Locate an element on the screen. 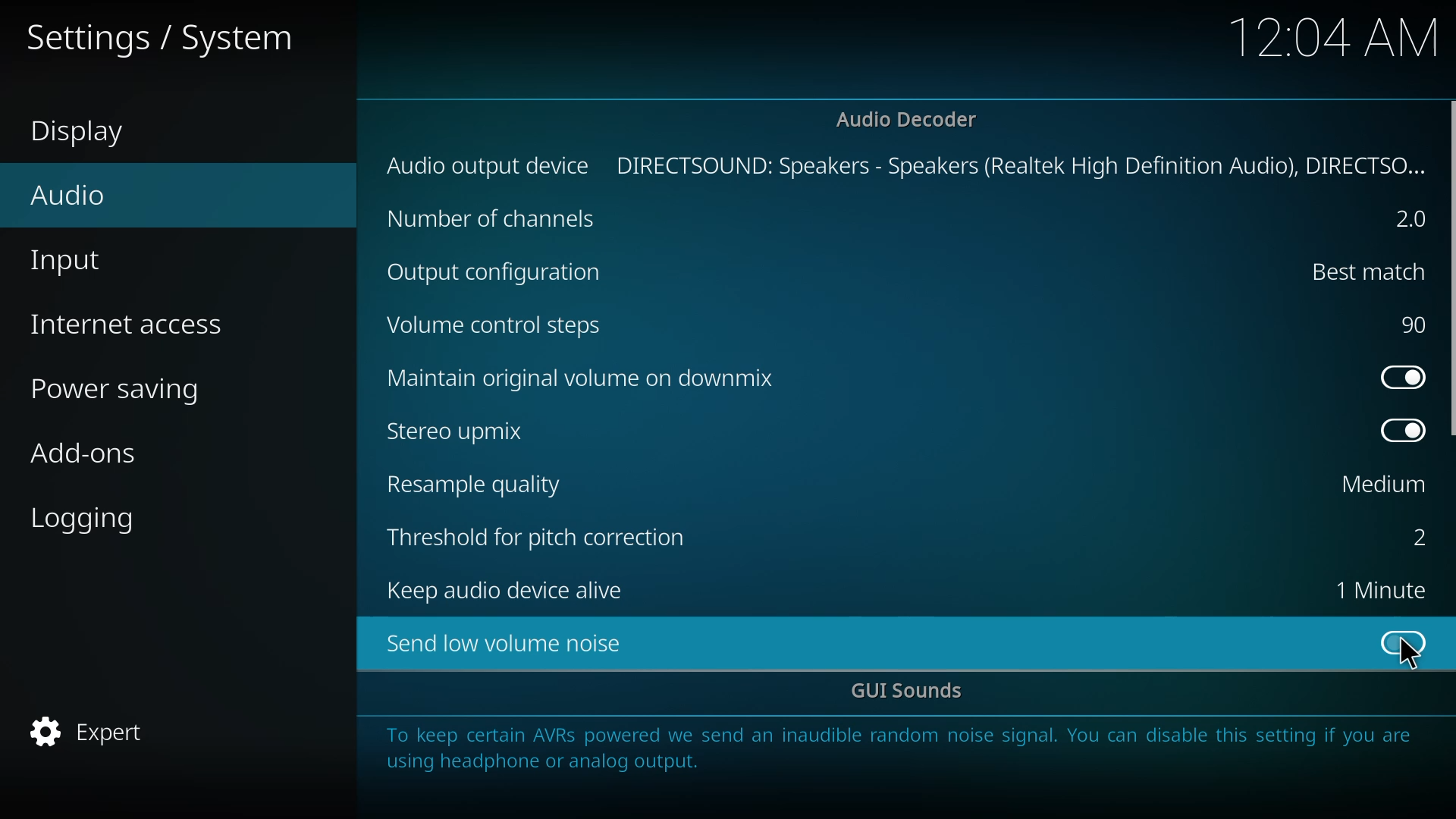 The height and width of the screenshot is (819, 1456). channels is located at coordinates (497, 216).